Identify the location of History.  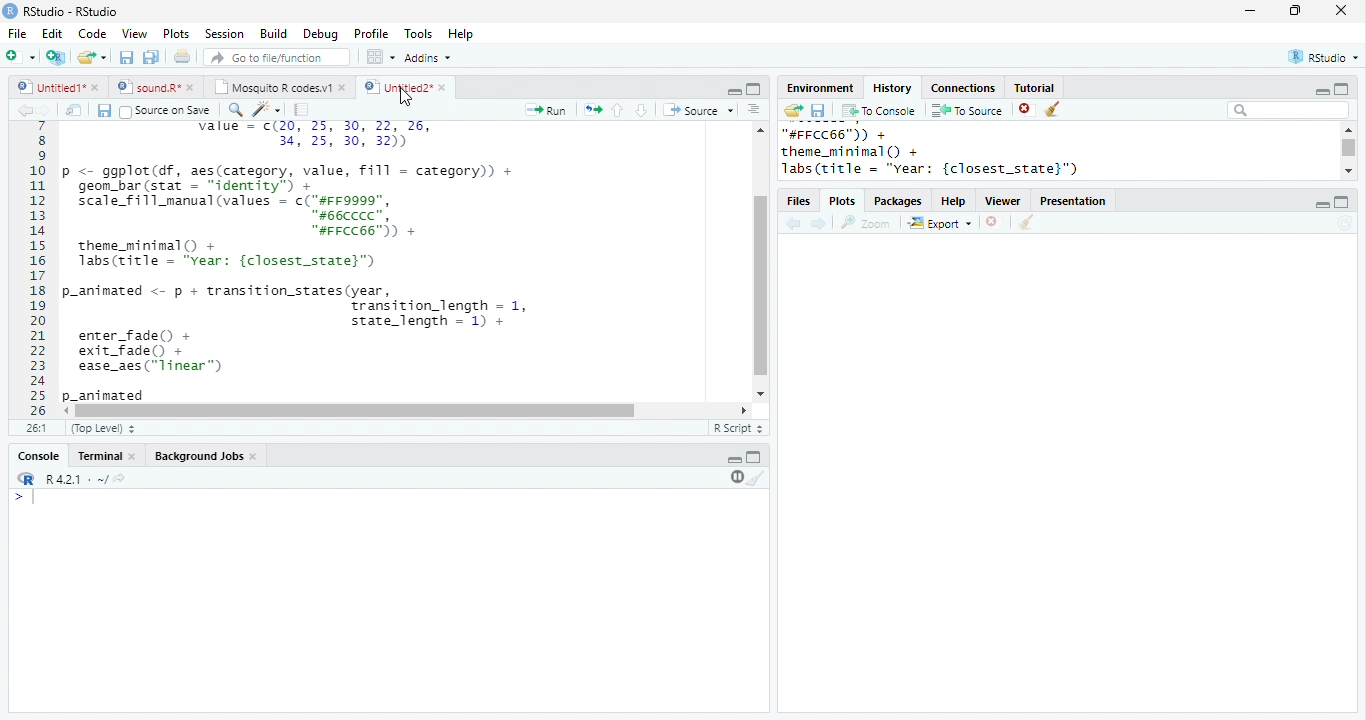
(892, 88).